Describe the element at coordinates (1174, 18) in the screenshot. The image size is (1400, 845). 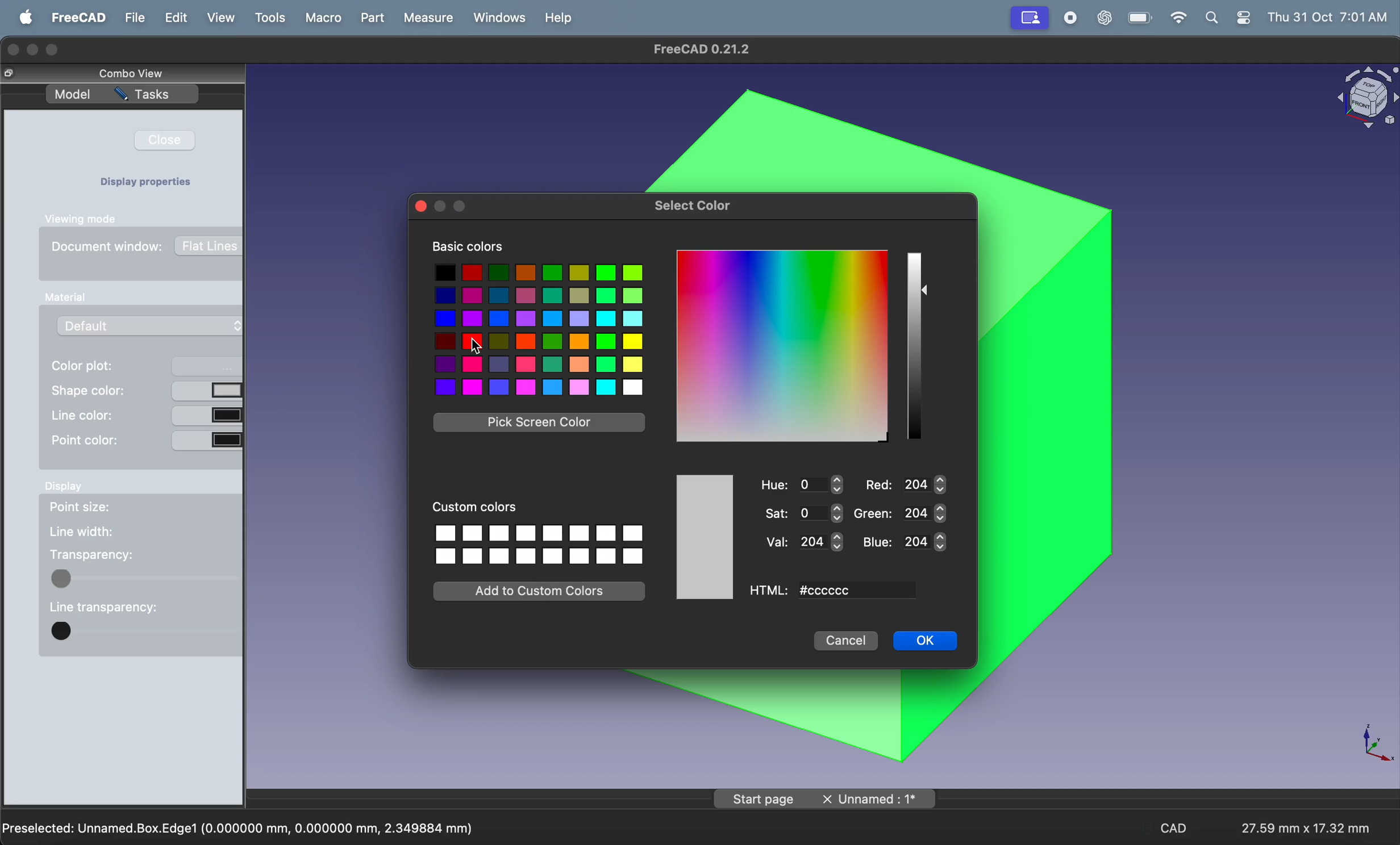
I see `wifi` at that location.